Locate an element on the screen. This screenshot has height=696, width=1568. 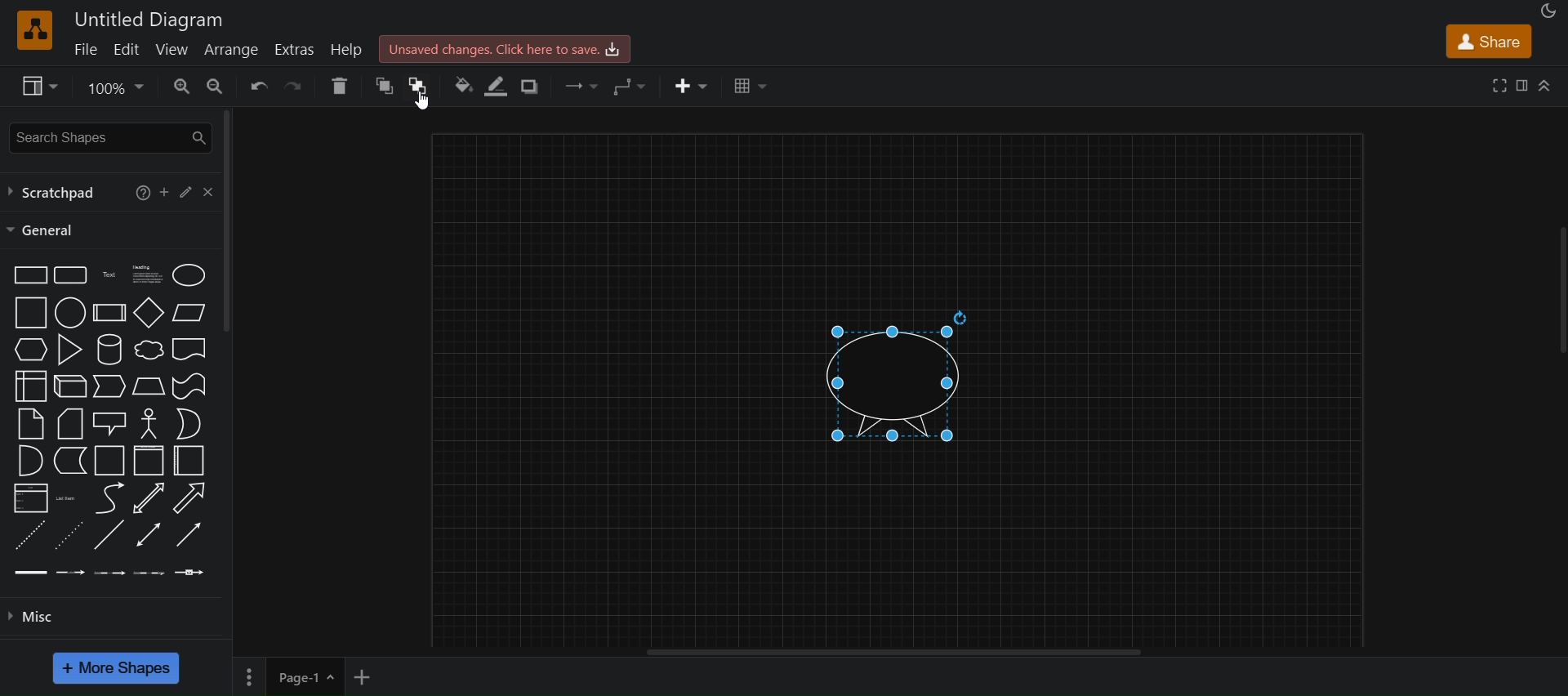
connector with lable is located at coordinates (69, 573).